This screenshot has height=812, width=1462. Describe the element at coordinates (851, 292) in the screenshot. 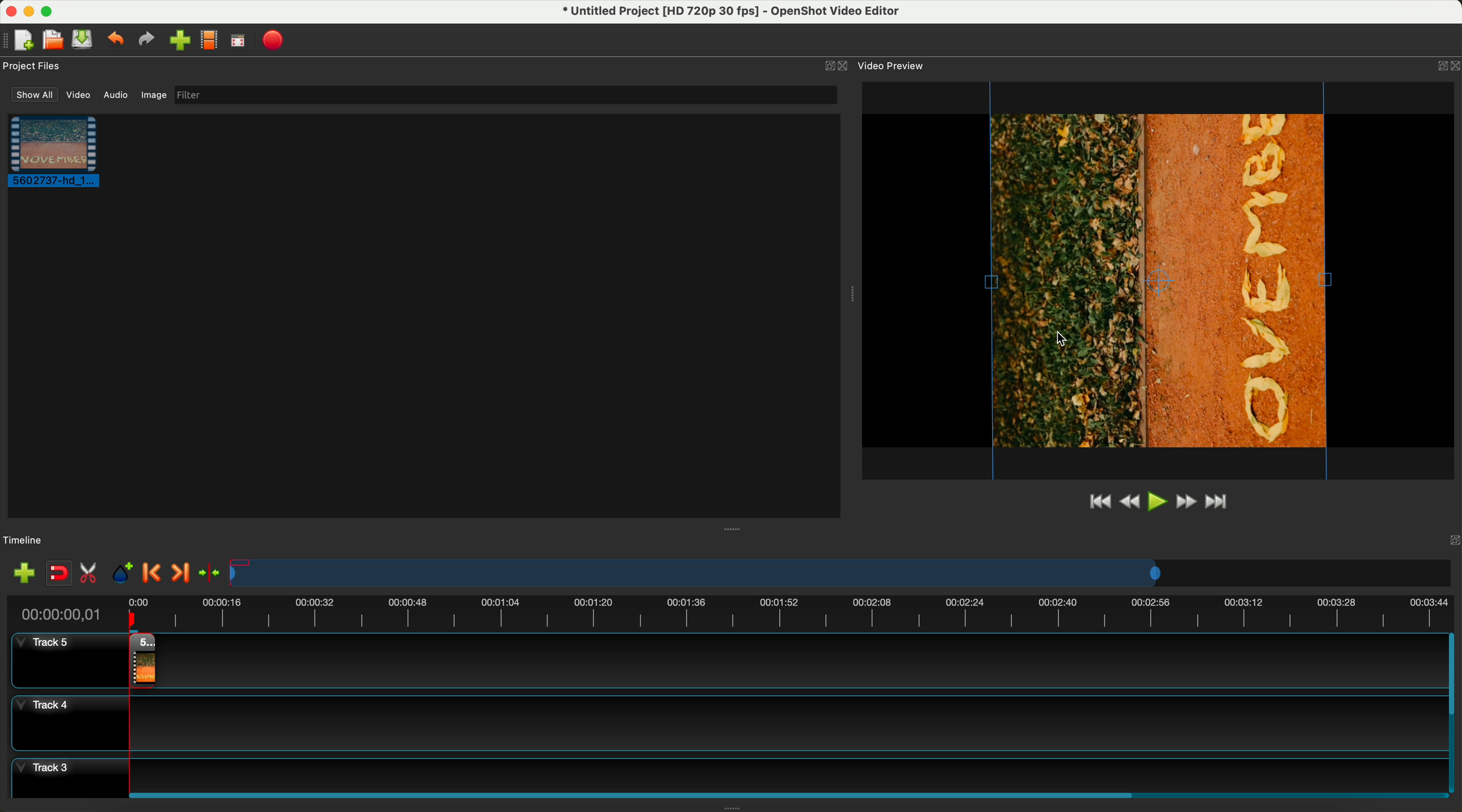

I see `` at that location.